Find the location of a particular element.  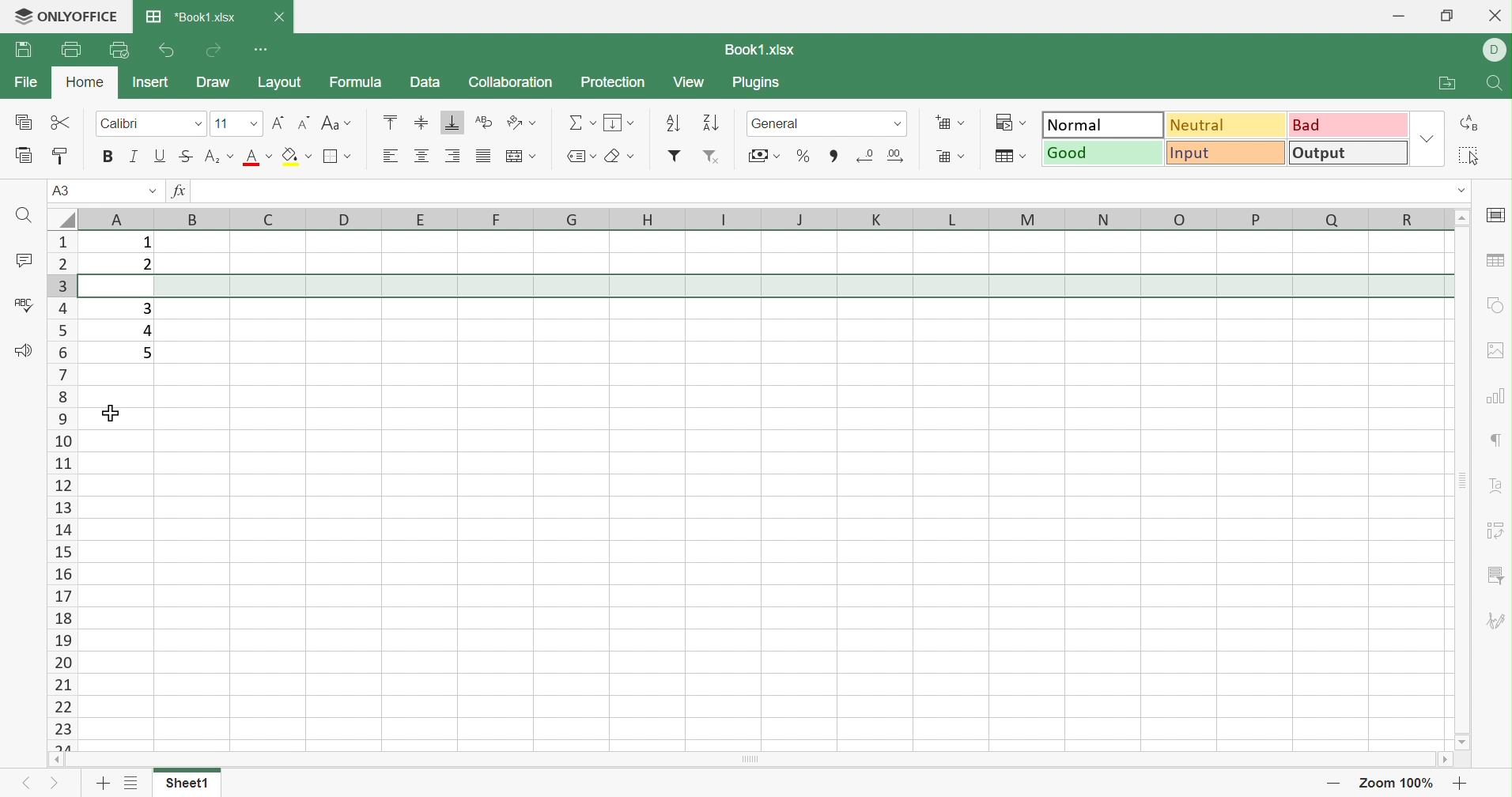

Signature settings is located at coordinates (1498, 621).